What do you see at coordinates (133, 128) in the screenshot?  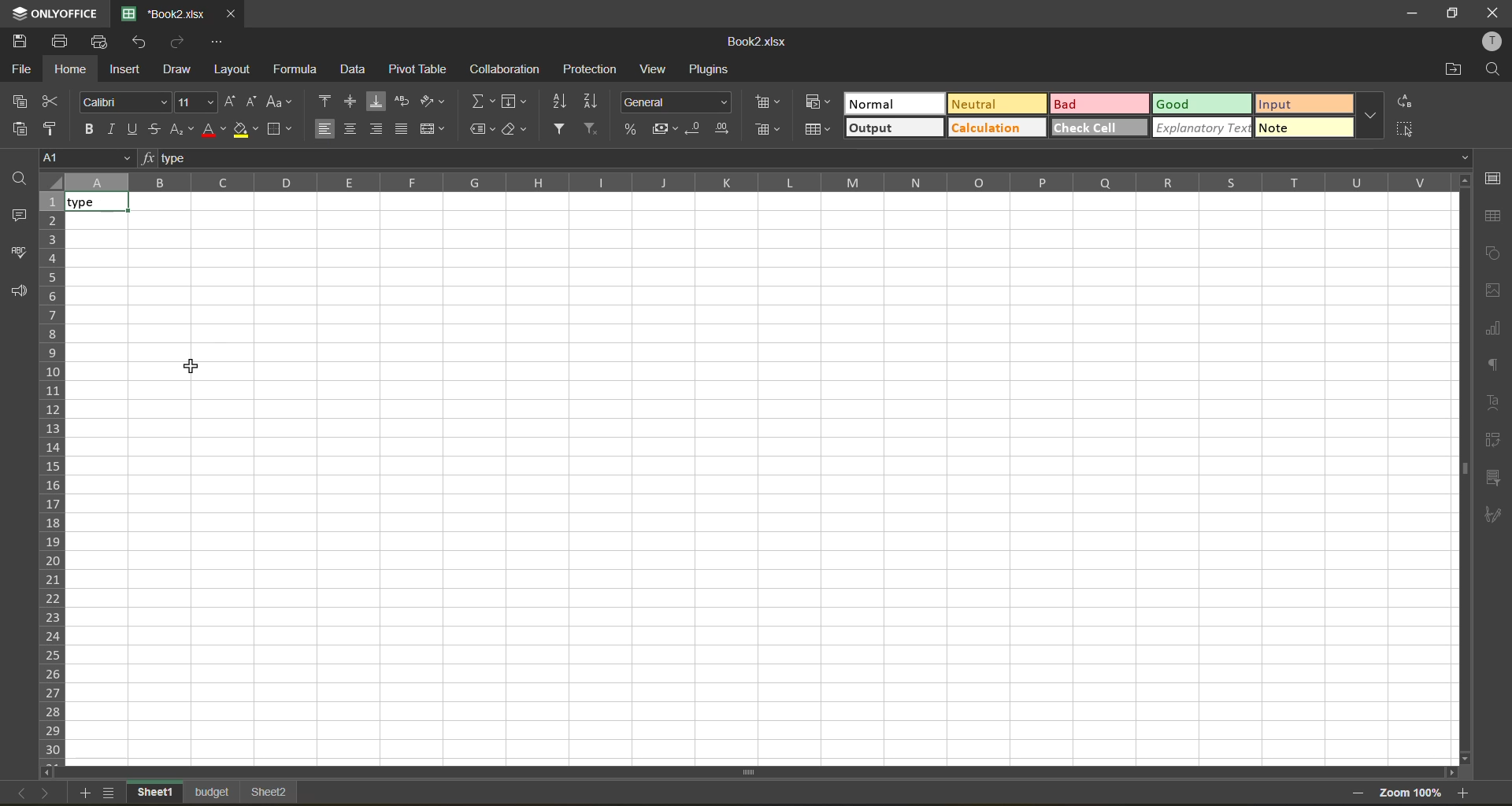 I see `underline` at bounding box center [133, 128].